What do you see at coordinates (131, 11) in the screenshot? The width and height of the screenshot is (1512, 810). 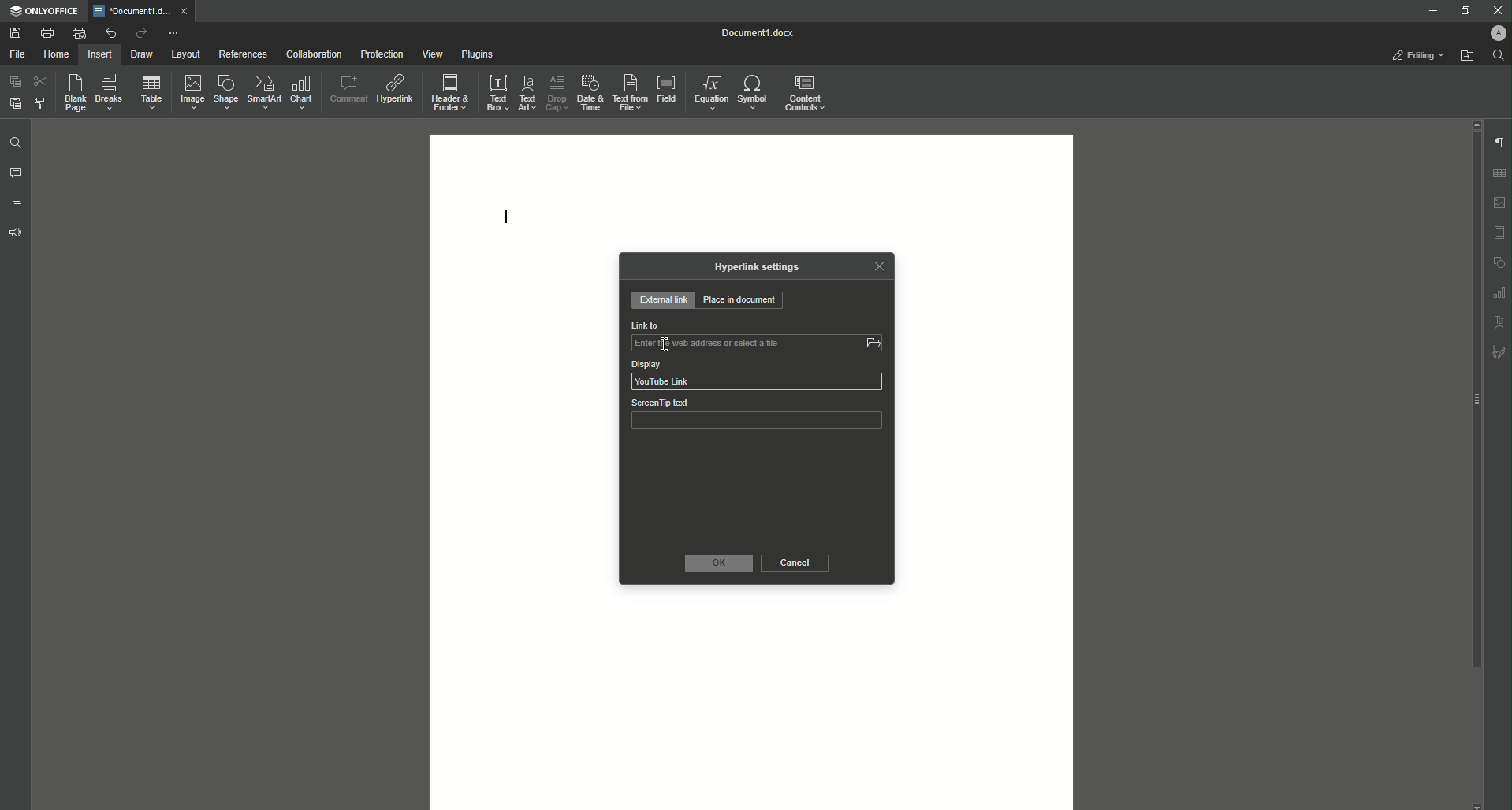 I see `*Document1.docx` at bounding box center [131, 11].